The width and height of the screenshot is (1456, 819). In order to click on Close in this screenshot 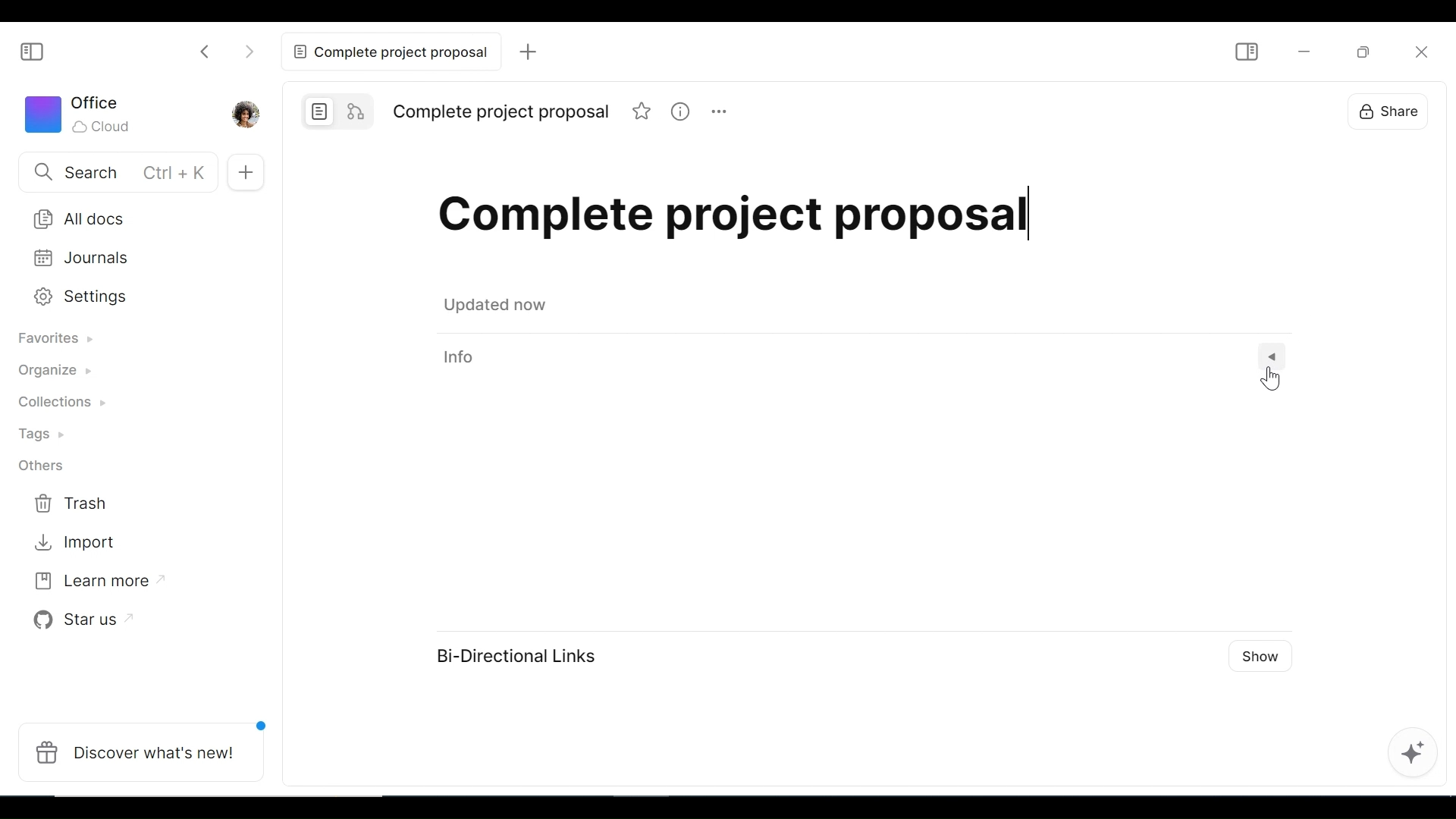, I will do `click(1421, 49)`.